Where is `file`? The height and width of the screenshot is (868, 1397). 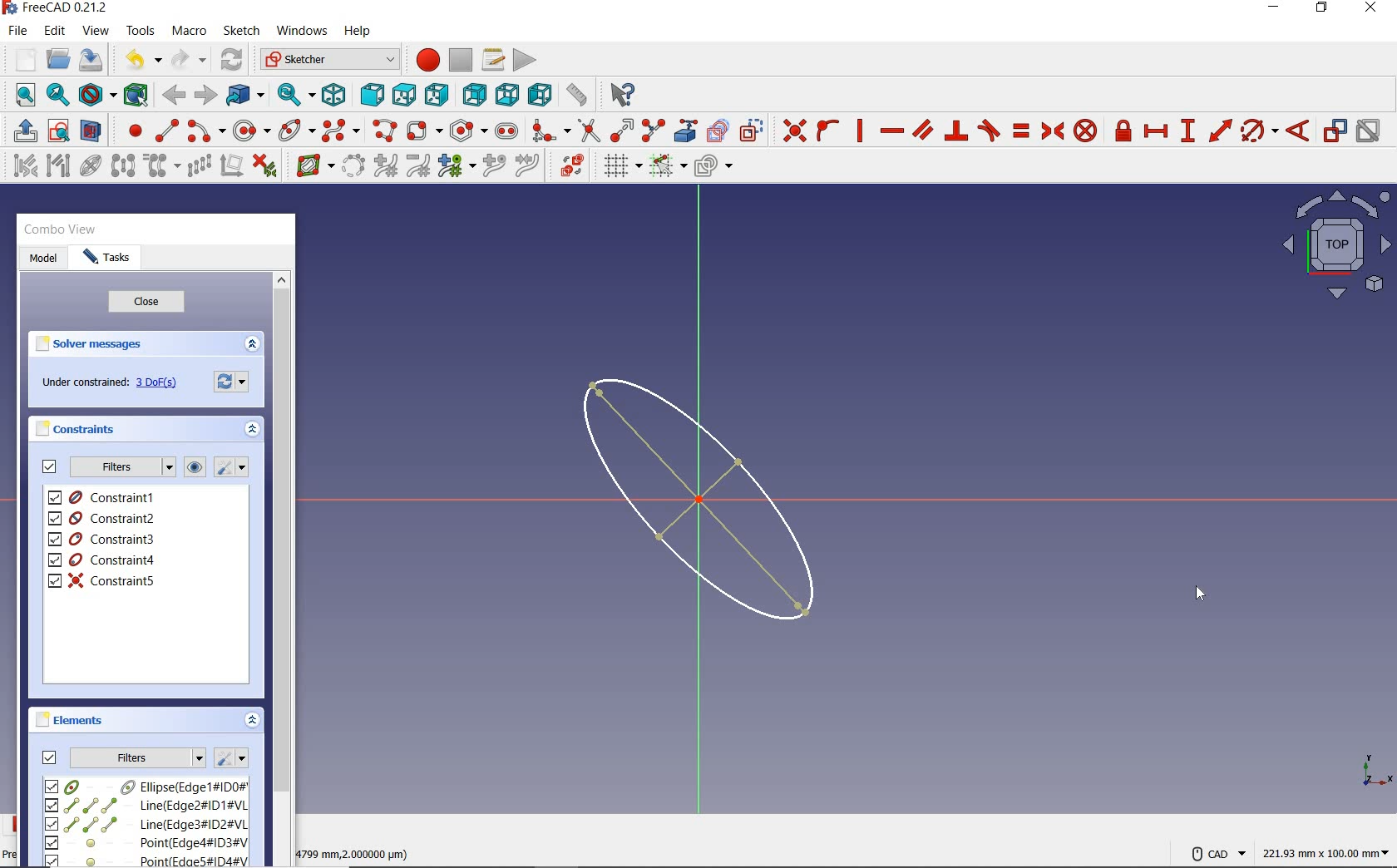
file is located at coordinates (17, 31).